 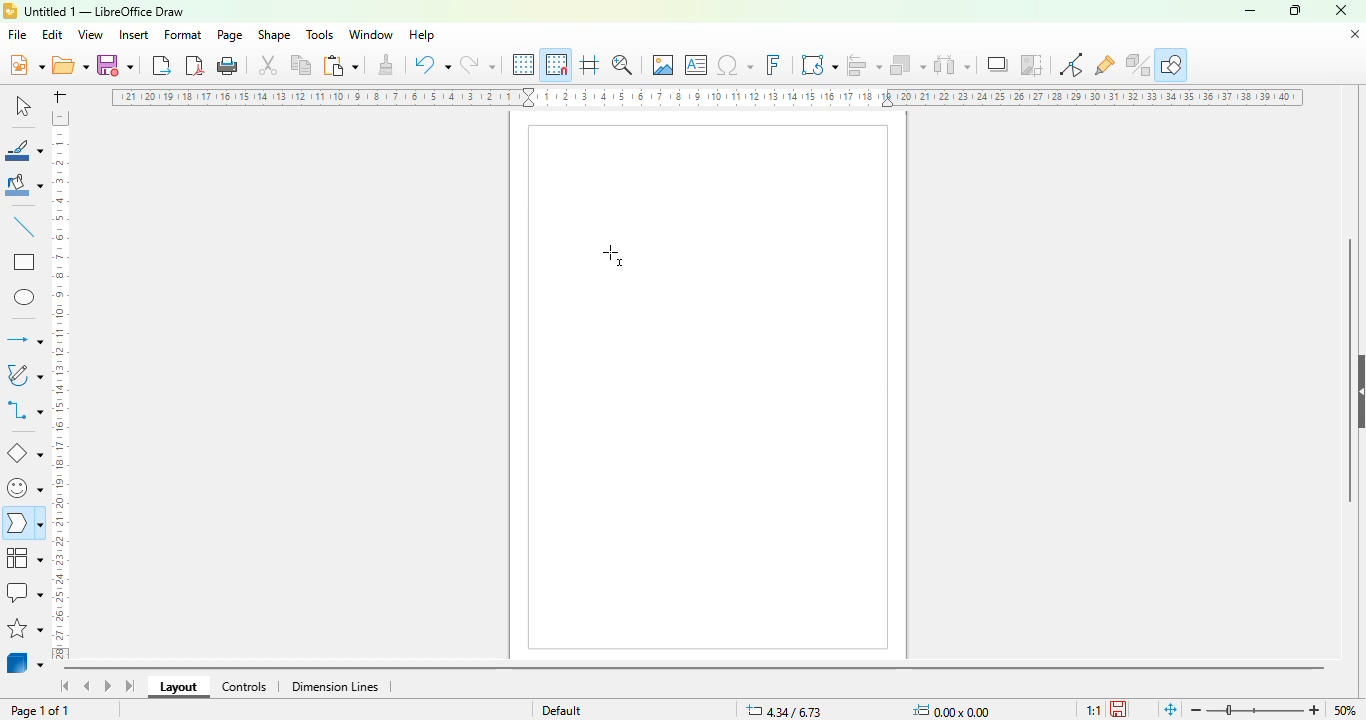 I want to click on arrange, so click(x=908, y=65).